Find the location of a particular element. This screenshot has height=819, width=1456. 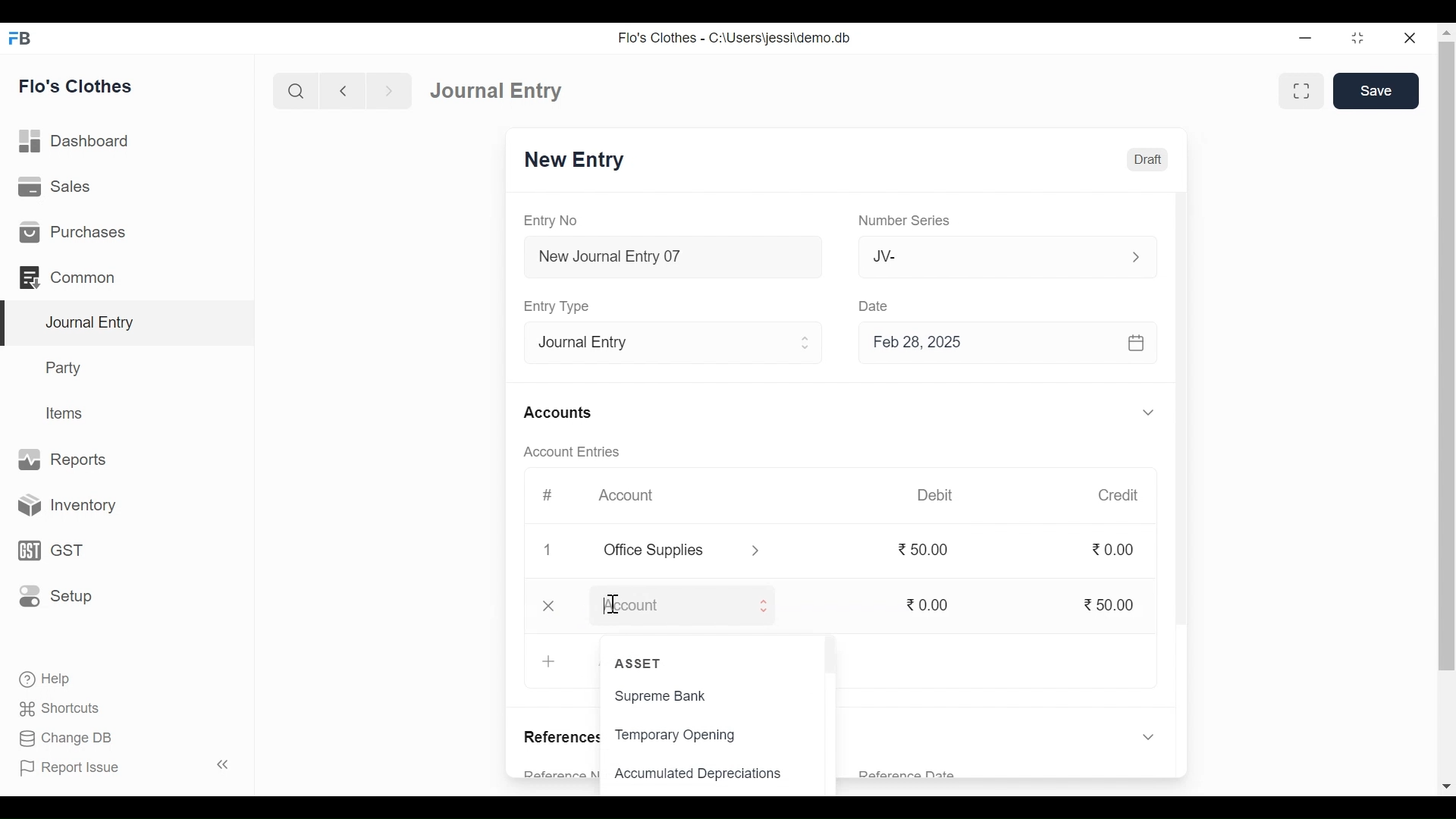

Temporary Opening is located at coordinates (680, 736).